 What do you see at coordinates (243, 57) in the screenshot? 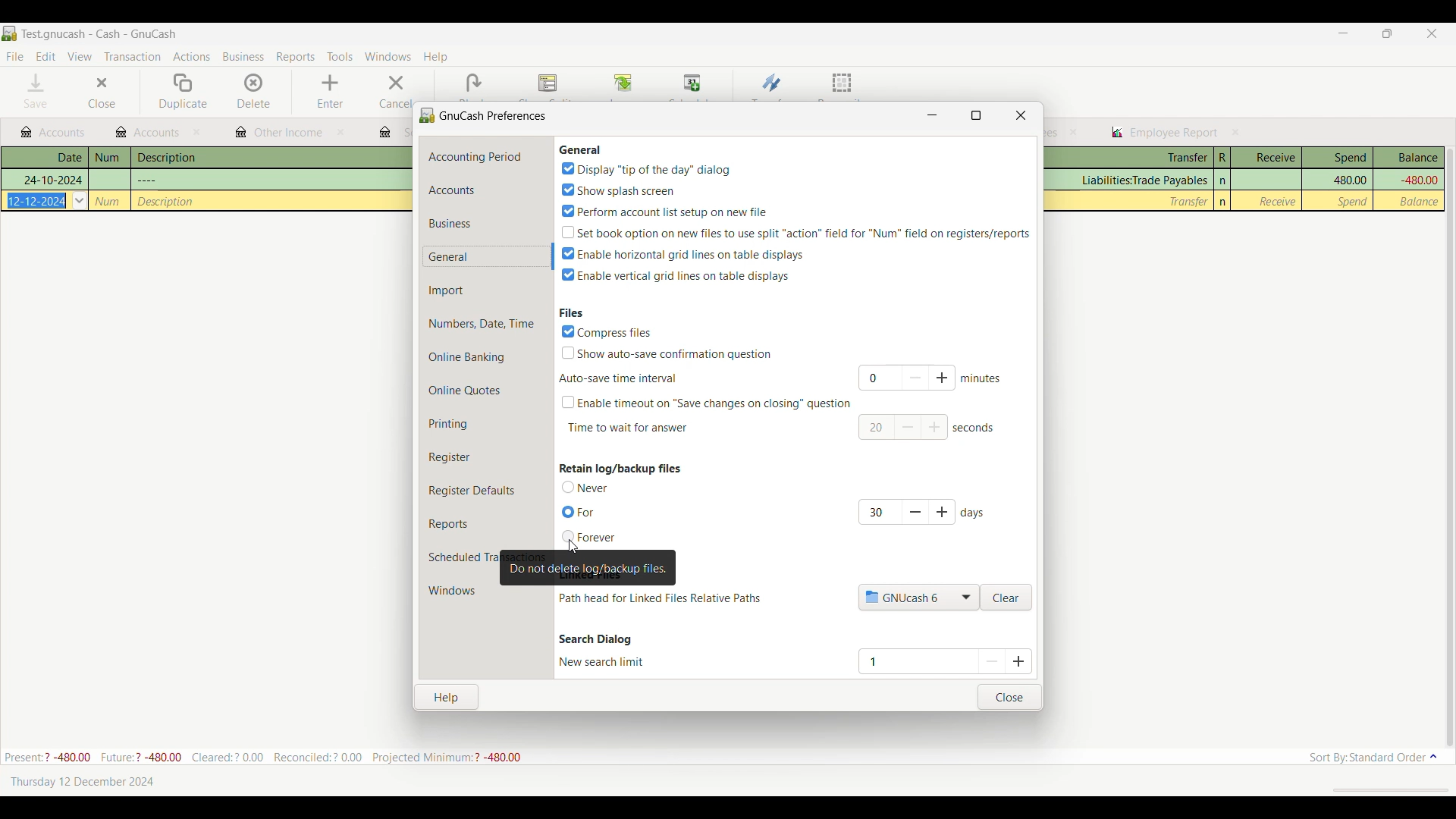
I see `Business menu` at bounding box center [243, 57].